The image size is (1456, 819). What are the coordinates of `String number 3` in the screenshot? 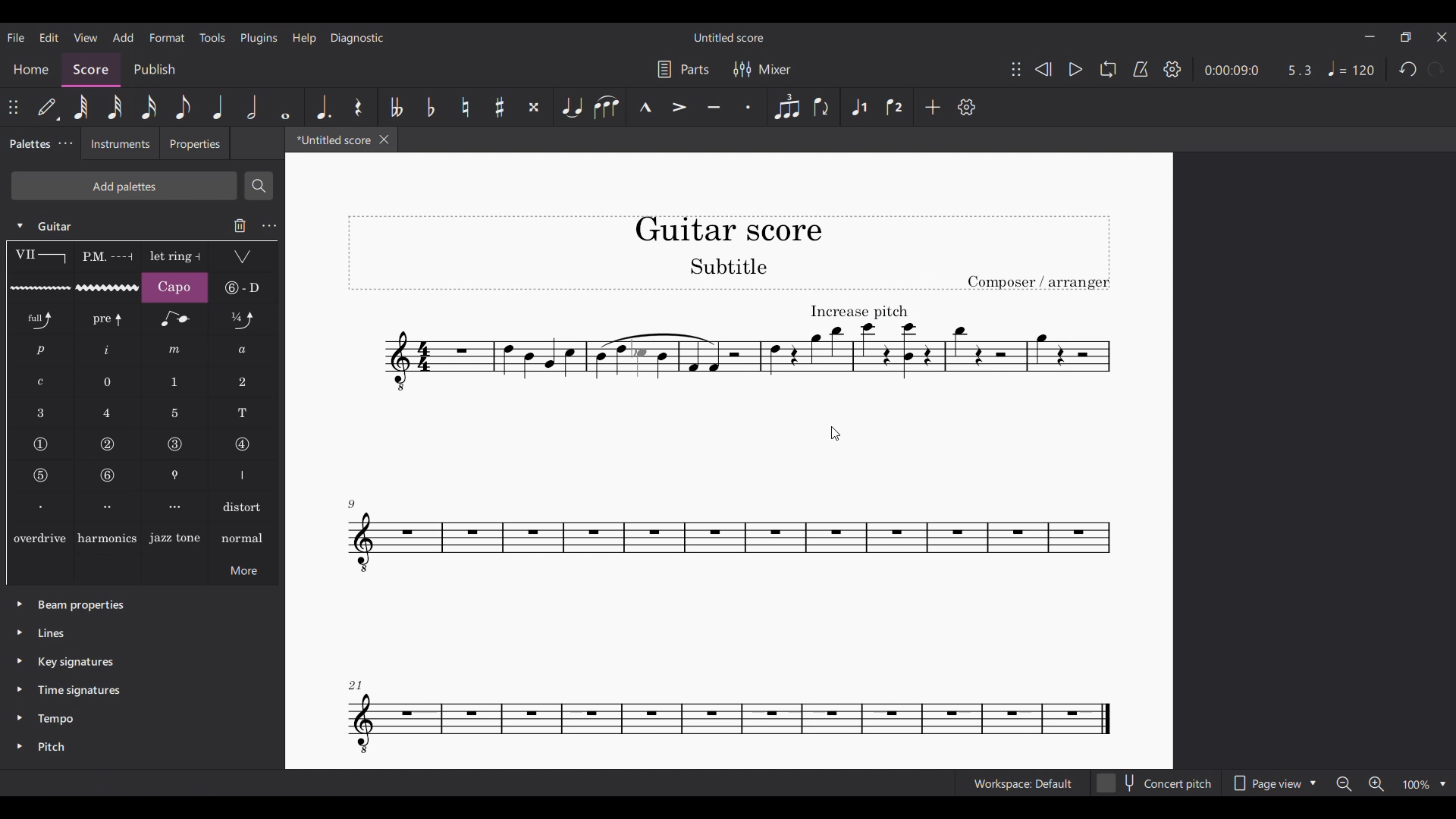 It's located at (175, 444).